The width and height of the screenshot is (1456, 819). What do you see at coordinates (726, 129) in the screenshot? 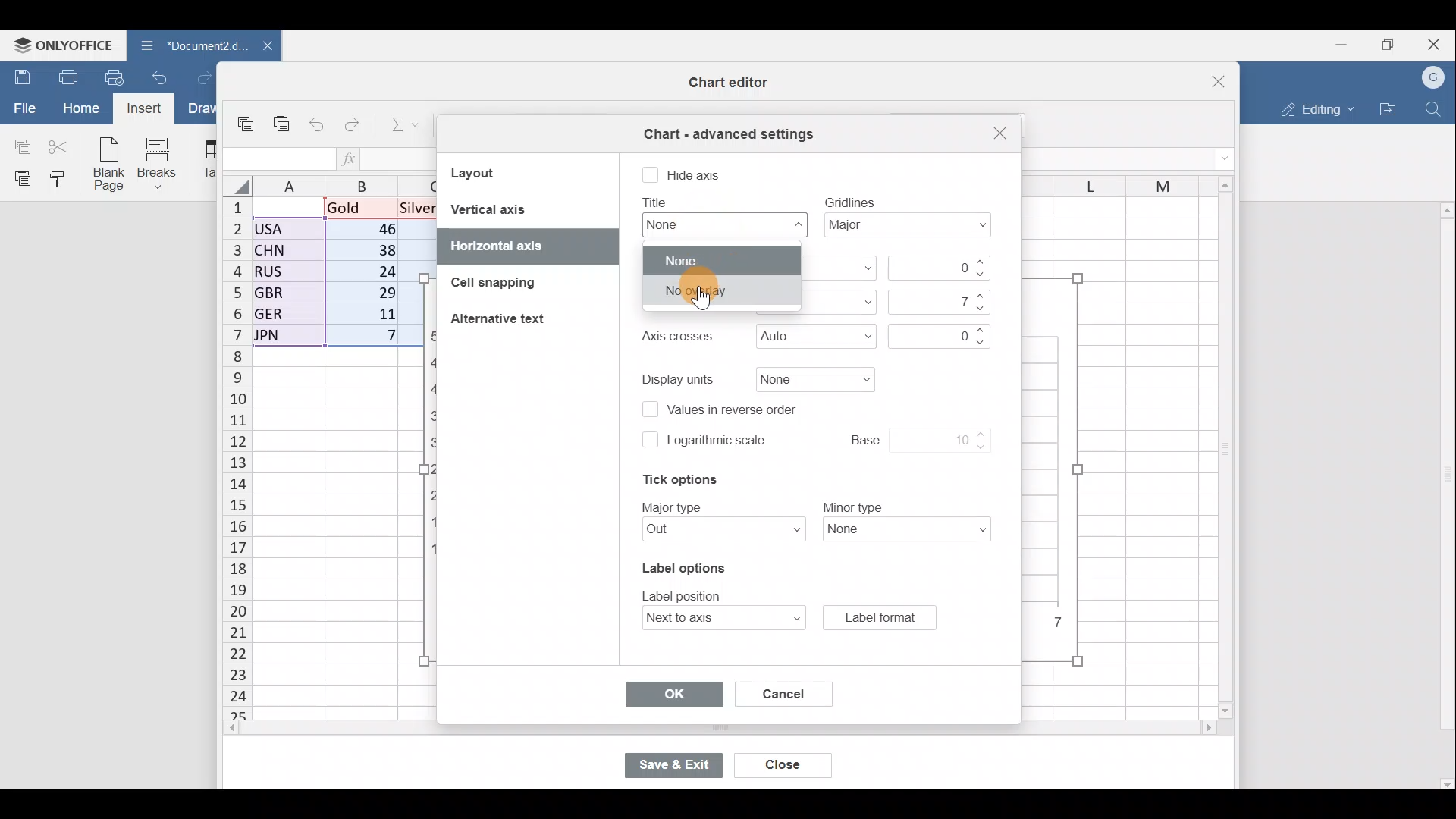
I see `Chart advanced settings` at bounding box center [726, 129].